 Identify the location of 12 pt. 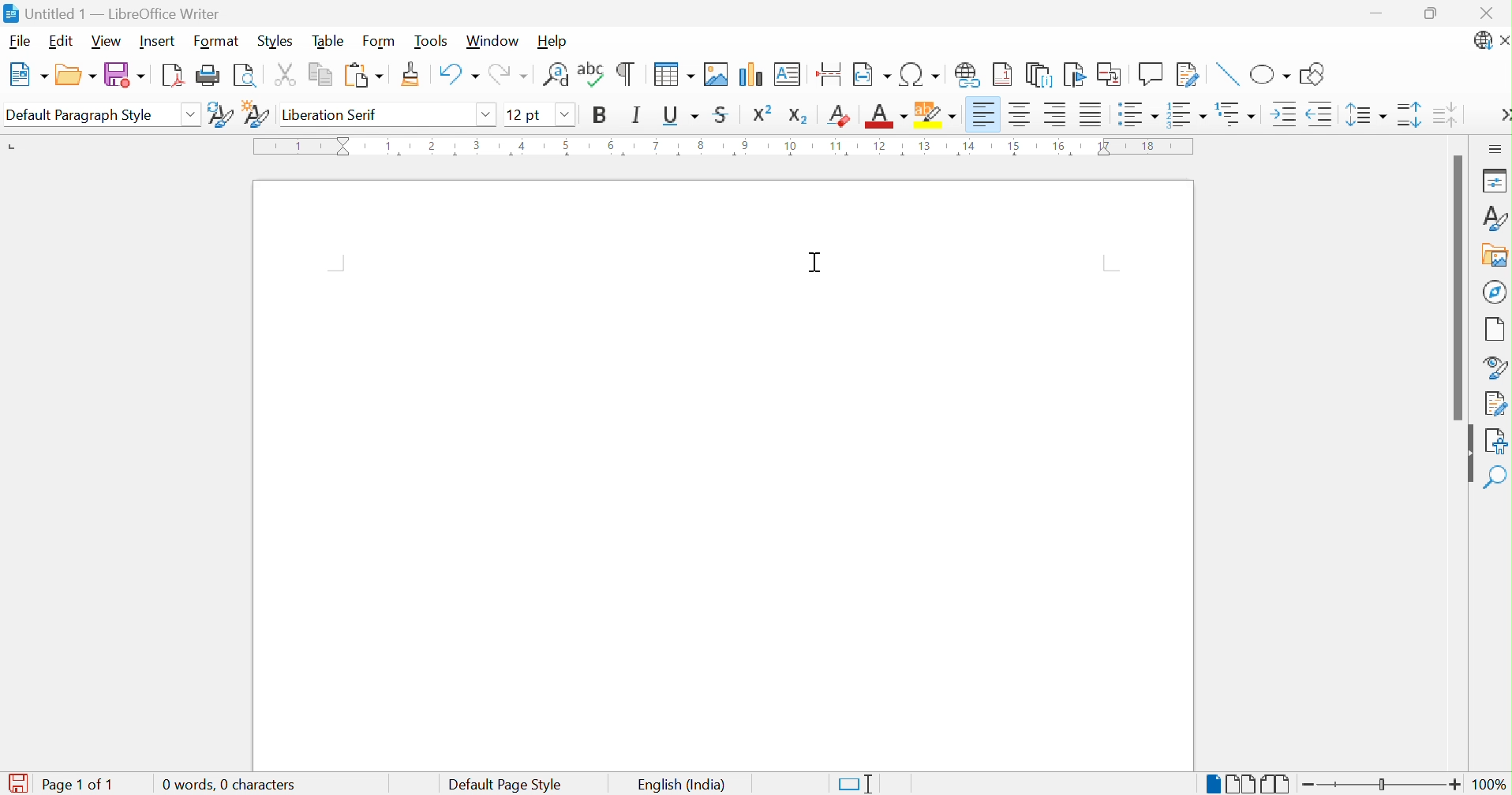
(522, 114).